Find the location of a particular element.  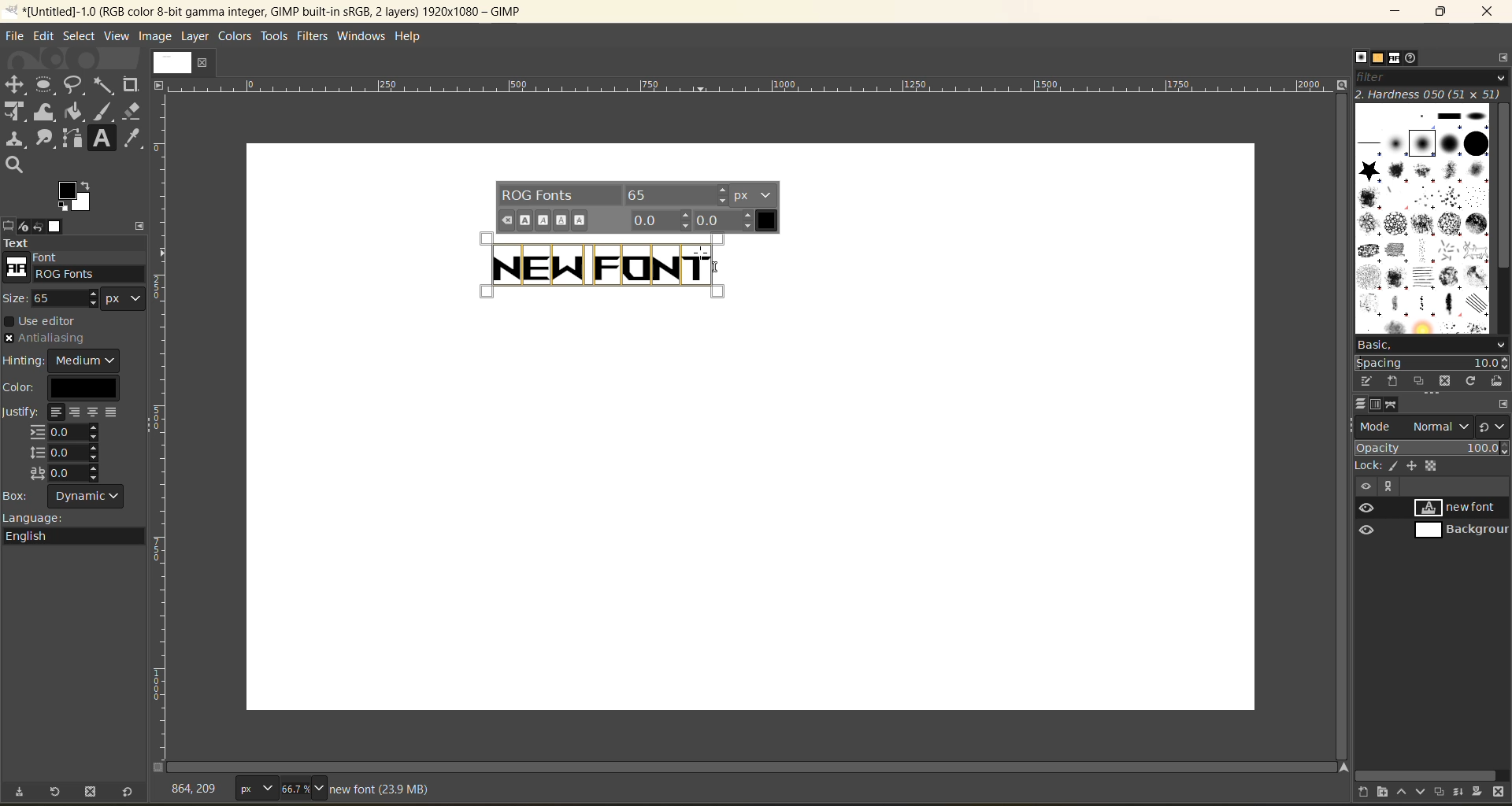

patterns is located at coordinates (1378, 57).